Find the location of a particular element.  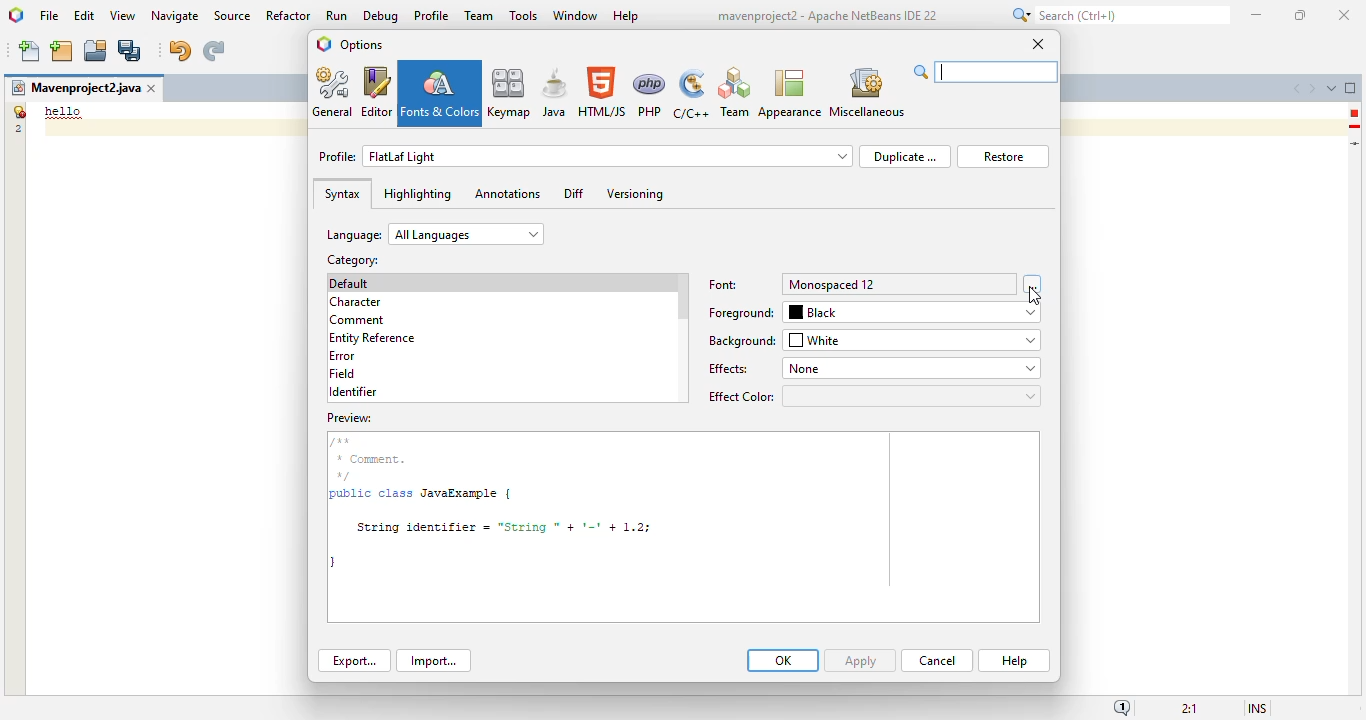

cancel is located at coordinates (937, 661).